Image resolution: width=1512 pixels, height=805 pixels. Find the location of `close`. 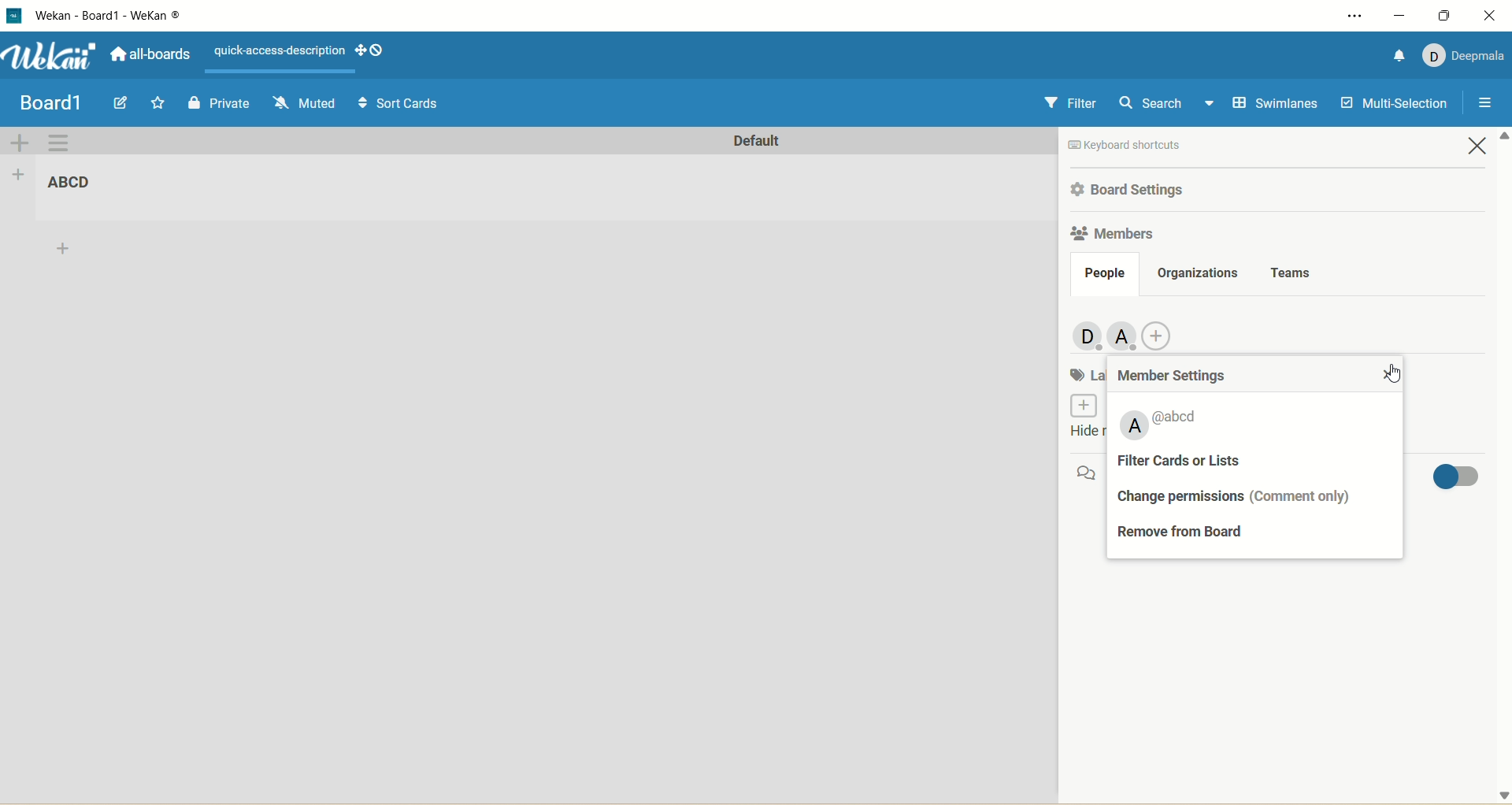

close is located at coordinates (1480, 148).